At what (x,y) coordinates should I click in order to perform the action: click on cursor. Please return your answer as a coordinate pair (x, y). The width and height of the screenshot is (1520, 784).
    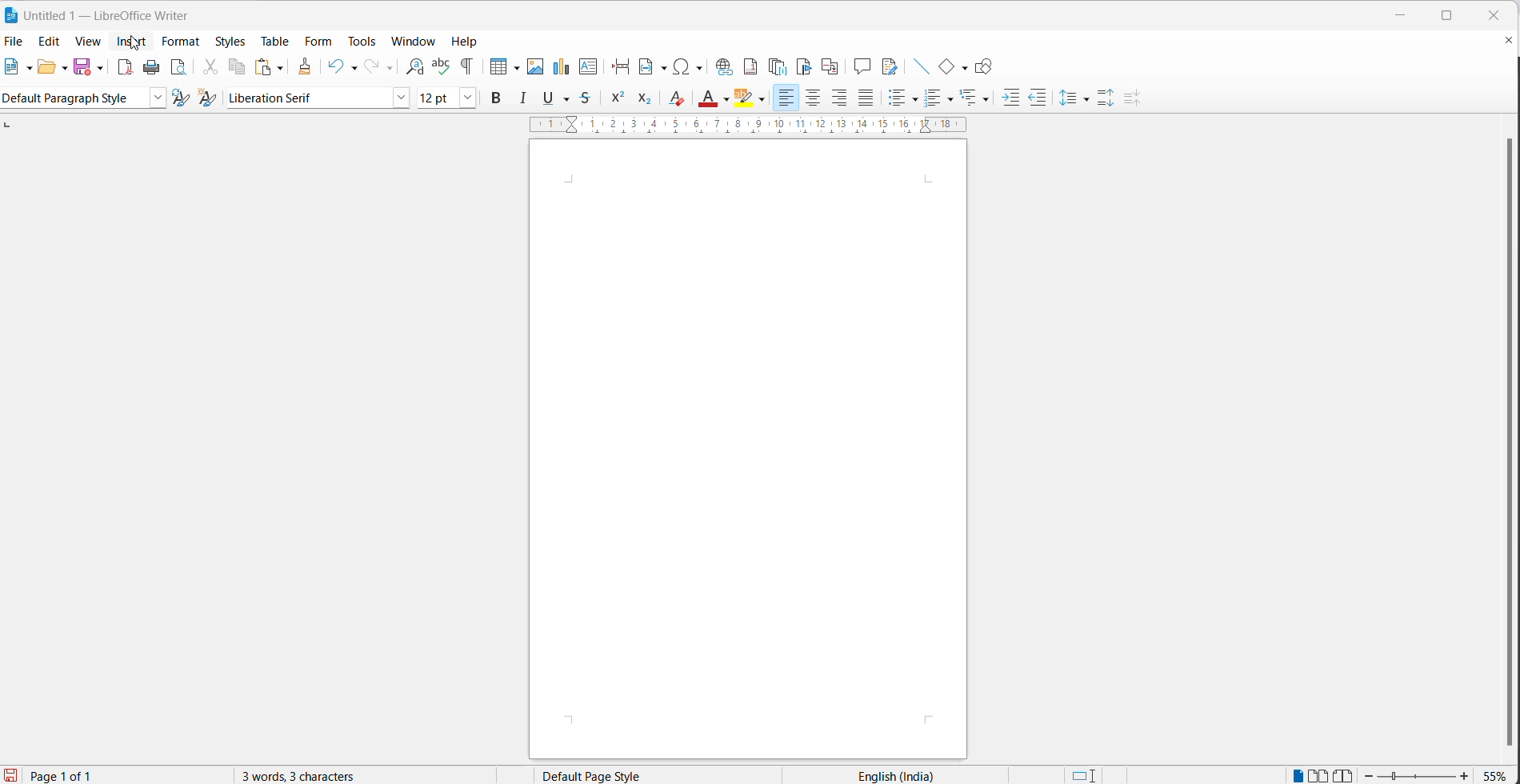
    Looking at the image, I should click on (135, 39).